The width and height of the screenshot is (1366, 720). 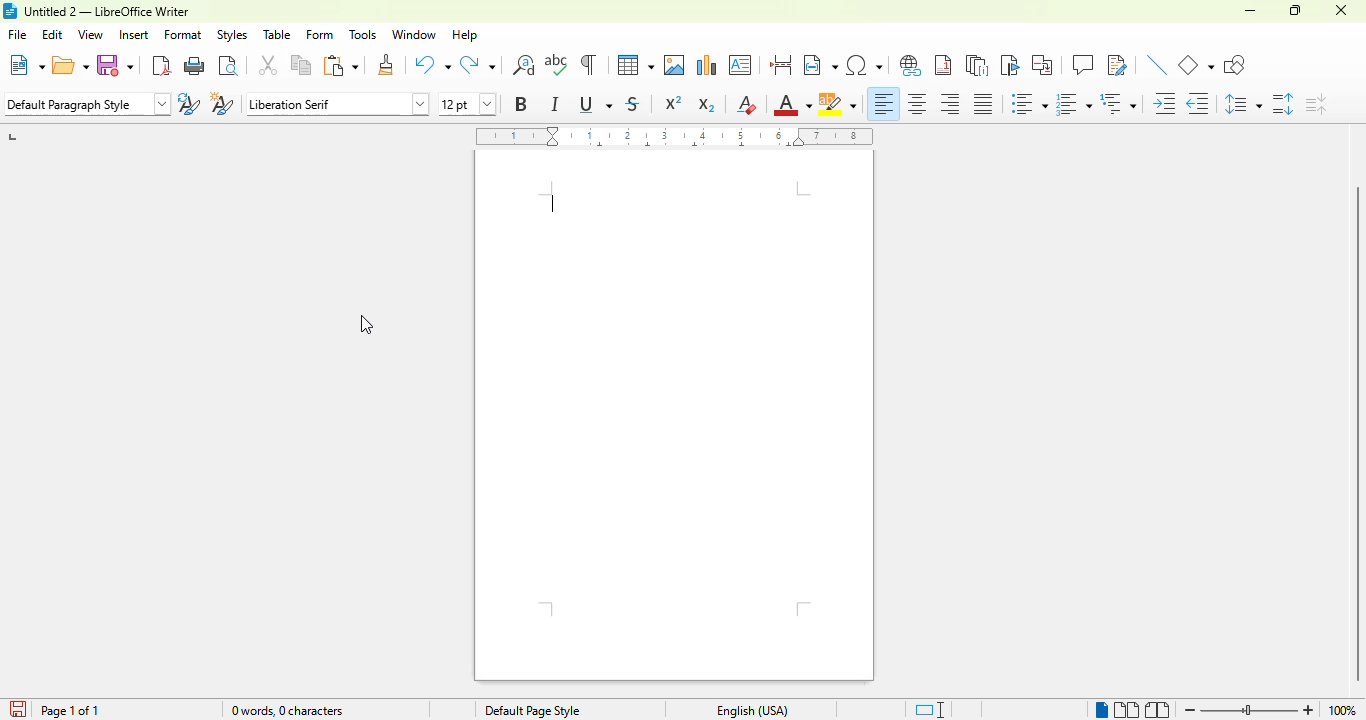 What do you see at coordinates (196, 66) in the screenshot?
I see `print` at bounding box center [196, 66].